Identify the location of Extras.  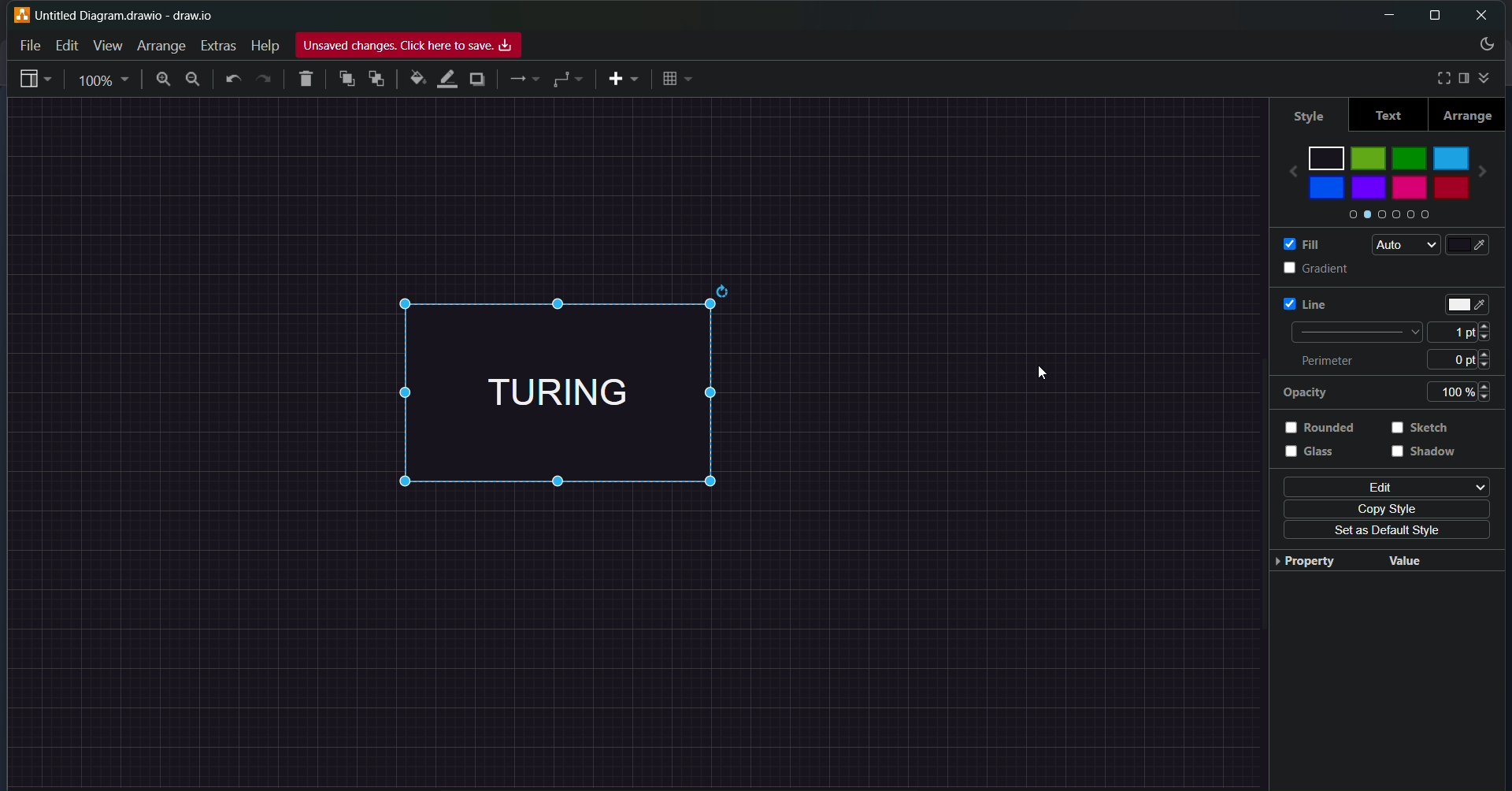
(220, 43).